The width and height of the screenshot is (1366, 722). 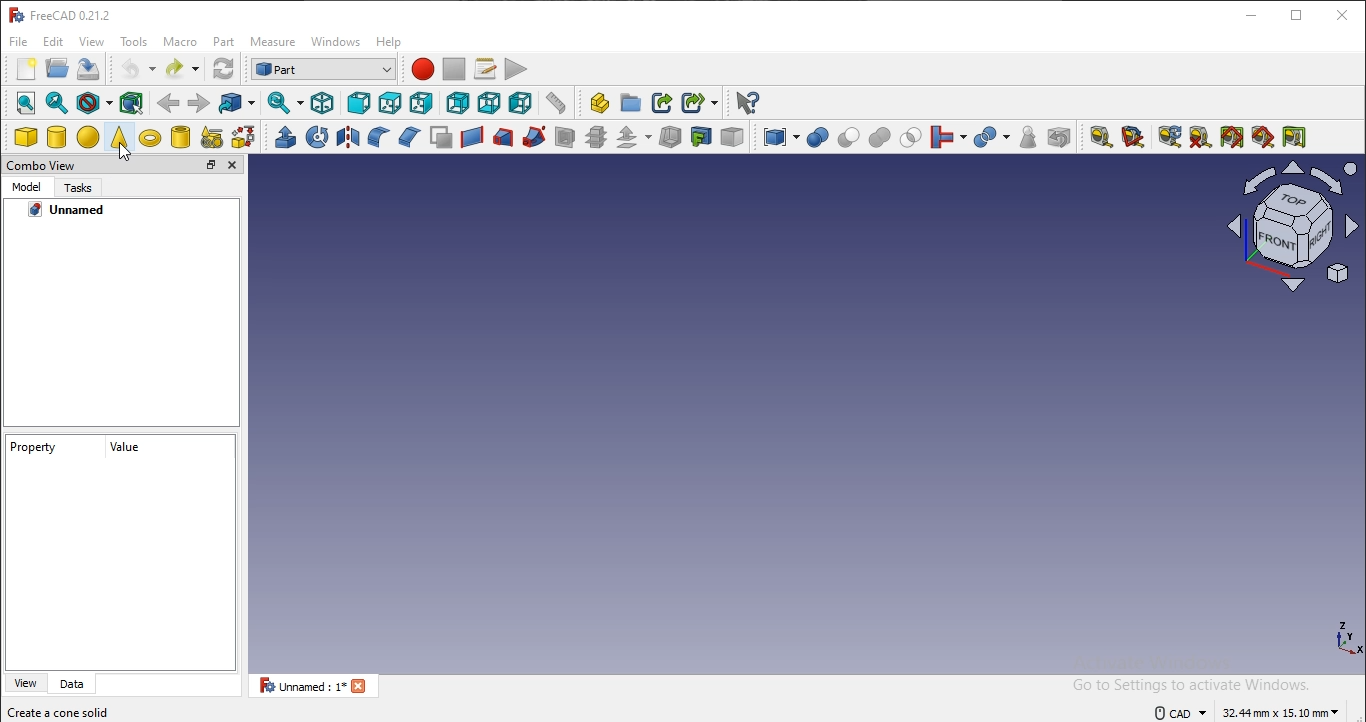 I want to click on measure, so click(x=272, y=42).